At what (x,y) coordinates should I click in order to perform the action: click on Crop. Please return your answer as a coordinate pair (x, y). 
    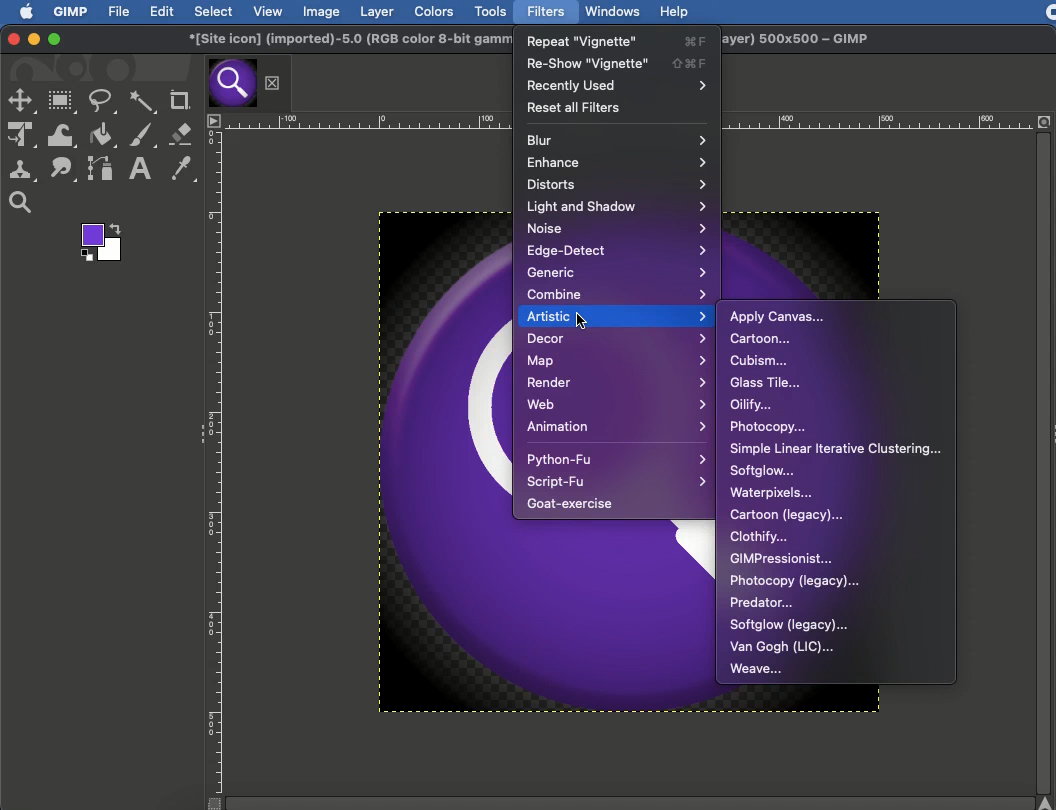
    Looking at the image, I should click on (178, 98).